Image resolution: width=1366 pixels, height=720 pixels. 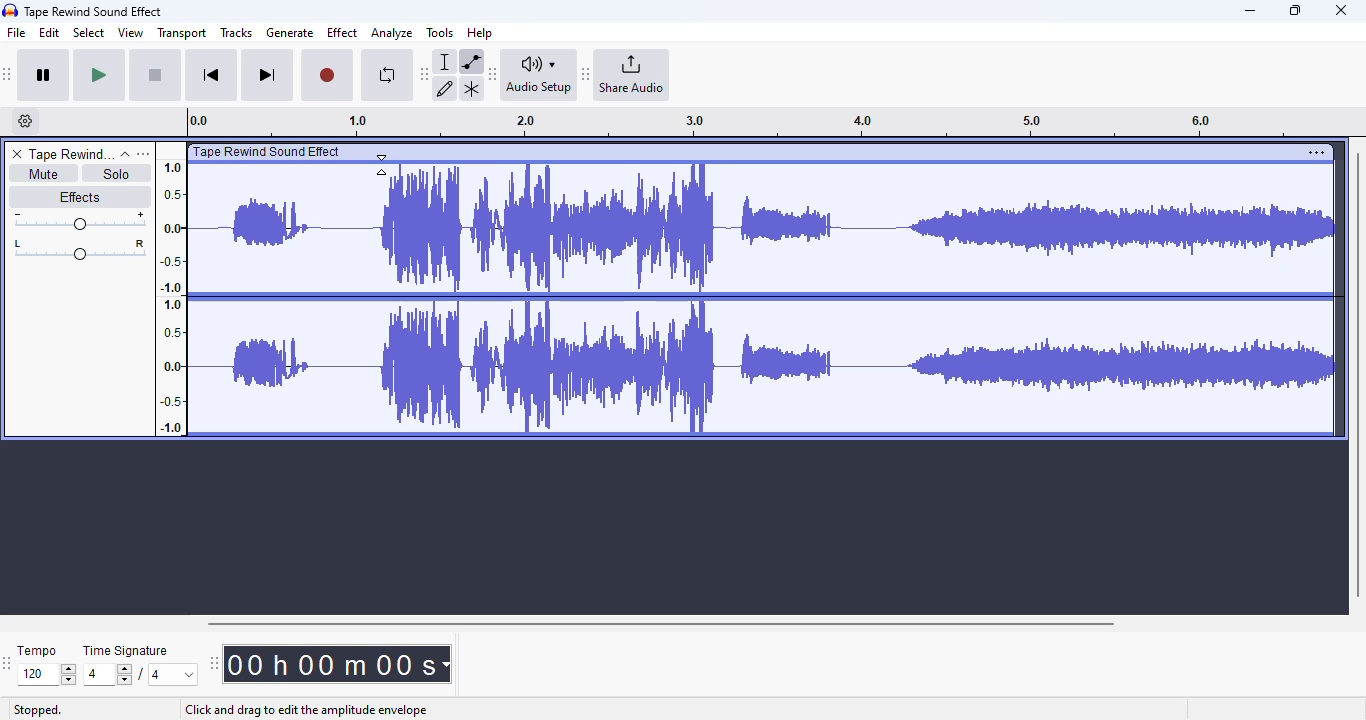 I want to click on envelope tool, so click(x=471, y=61).